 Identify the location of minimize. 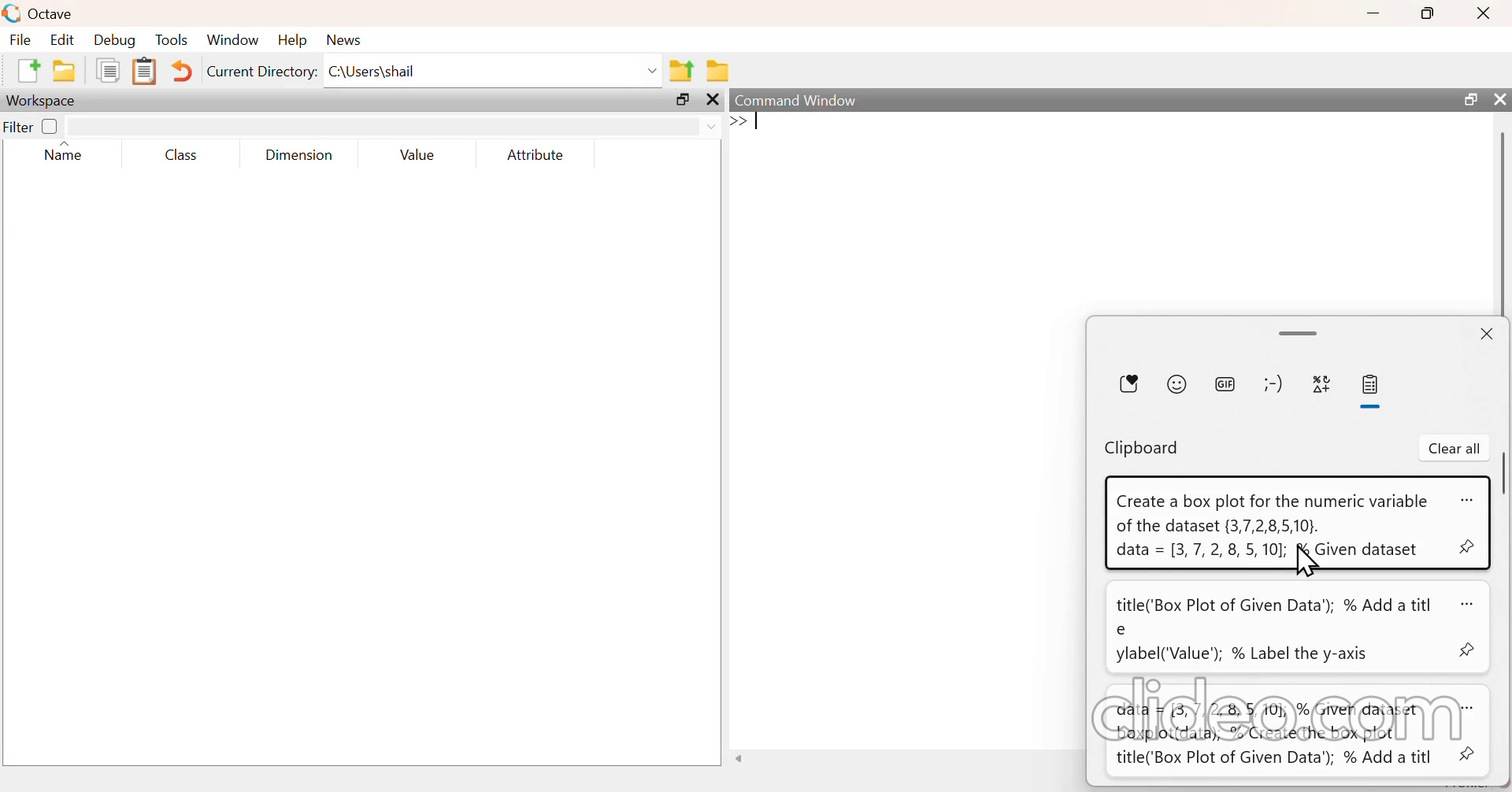
(1373, 13).